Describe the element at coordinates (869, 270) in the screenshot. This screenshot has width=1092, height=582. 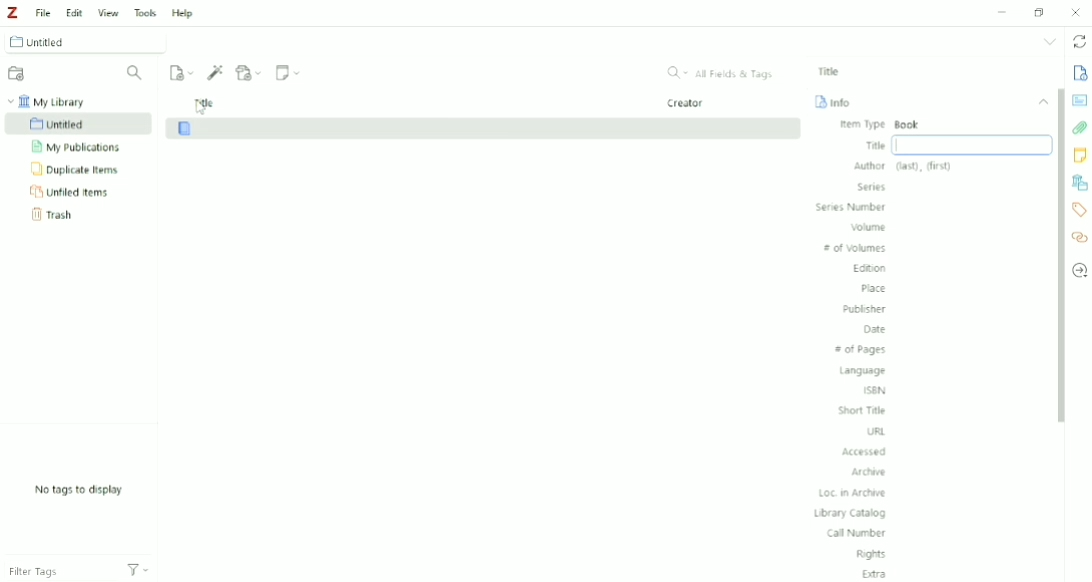
I see `Edition` at that location.